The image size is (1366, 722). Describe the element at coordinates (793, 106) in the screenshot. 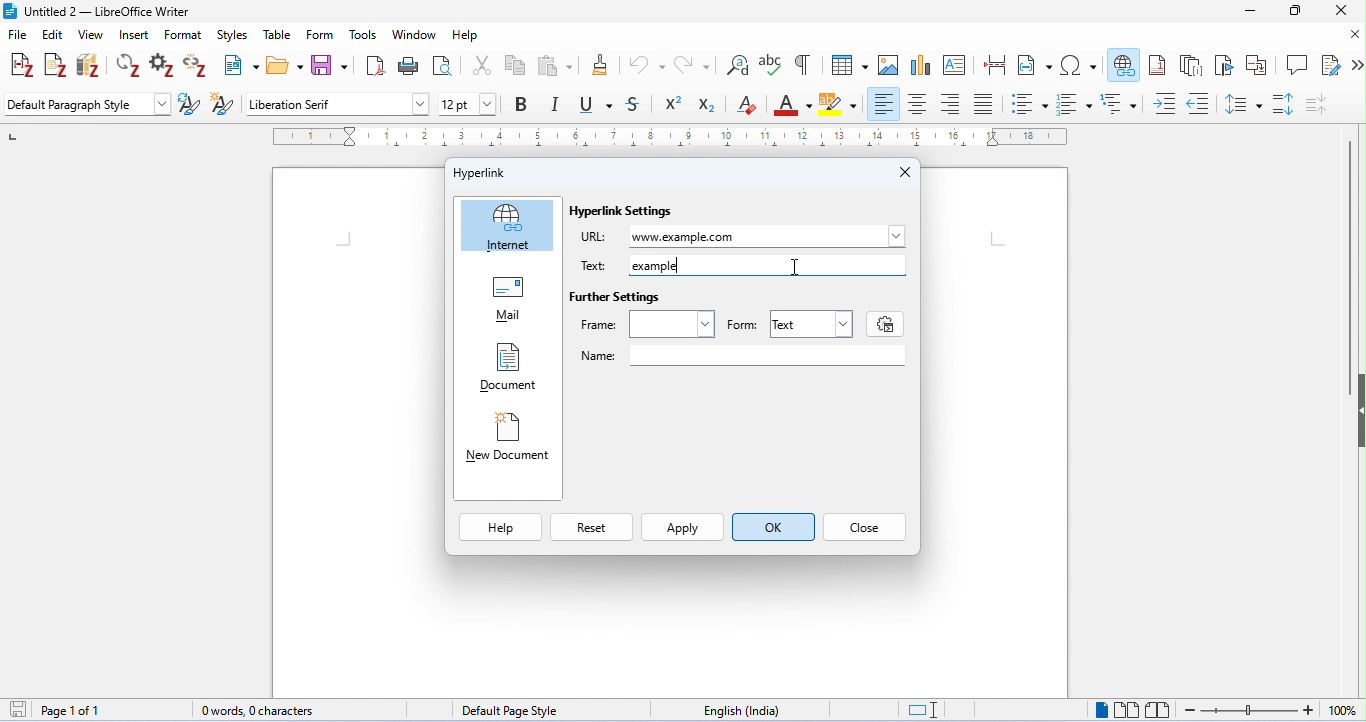

I see `font color` at that location.